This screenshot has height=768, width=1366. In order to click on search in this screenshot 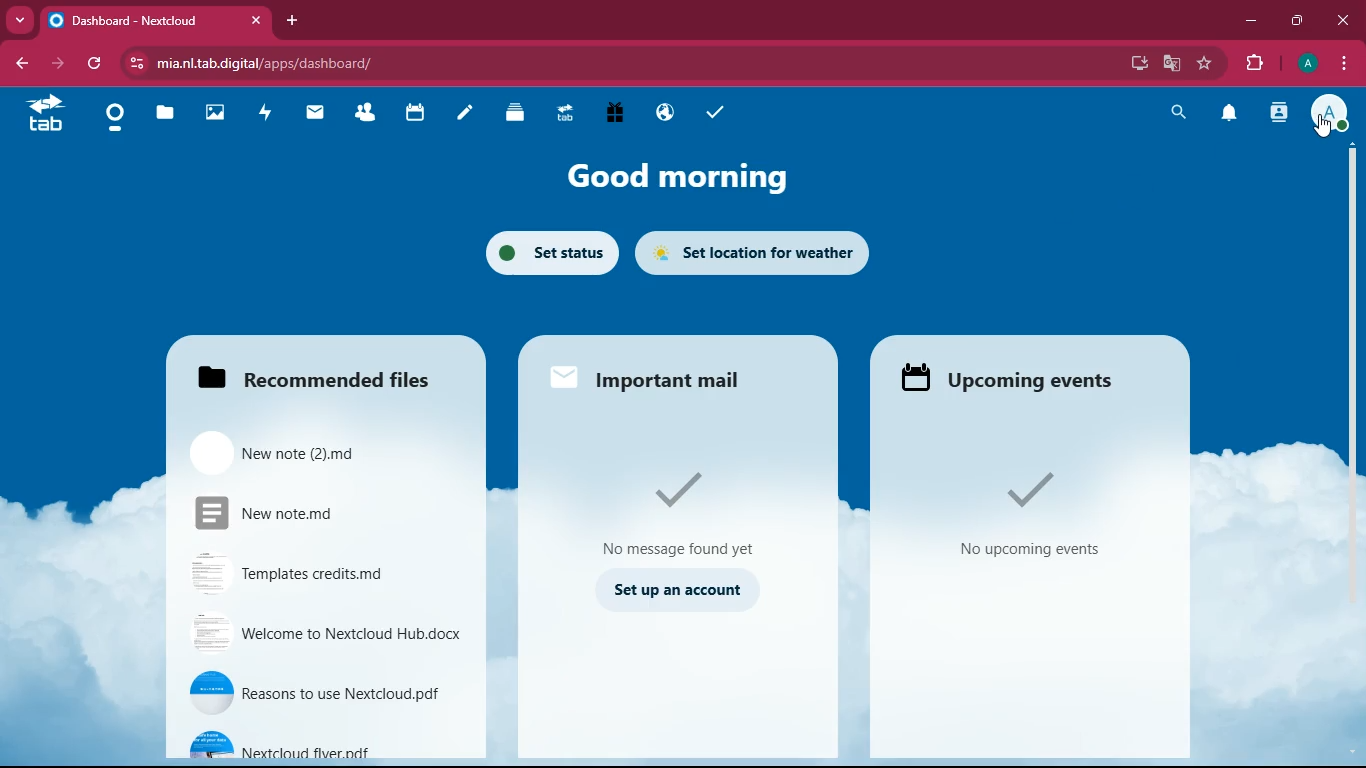, I will do `click(1177, 114)`.